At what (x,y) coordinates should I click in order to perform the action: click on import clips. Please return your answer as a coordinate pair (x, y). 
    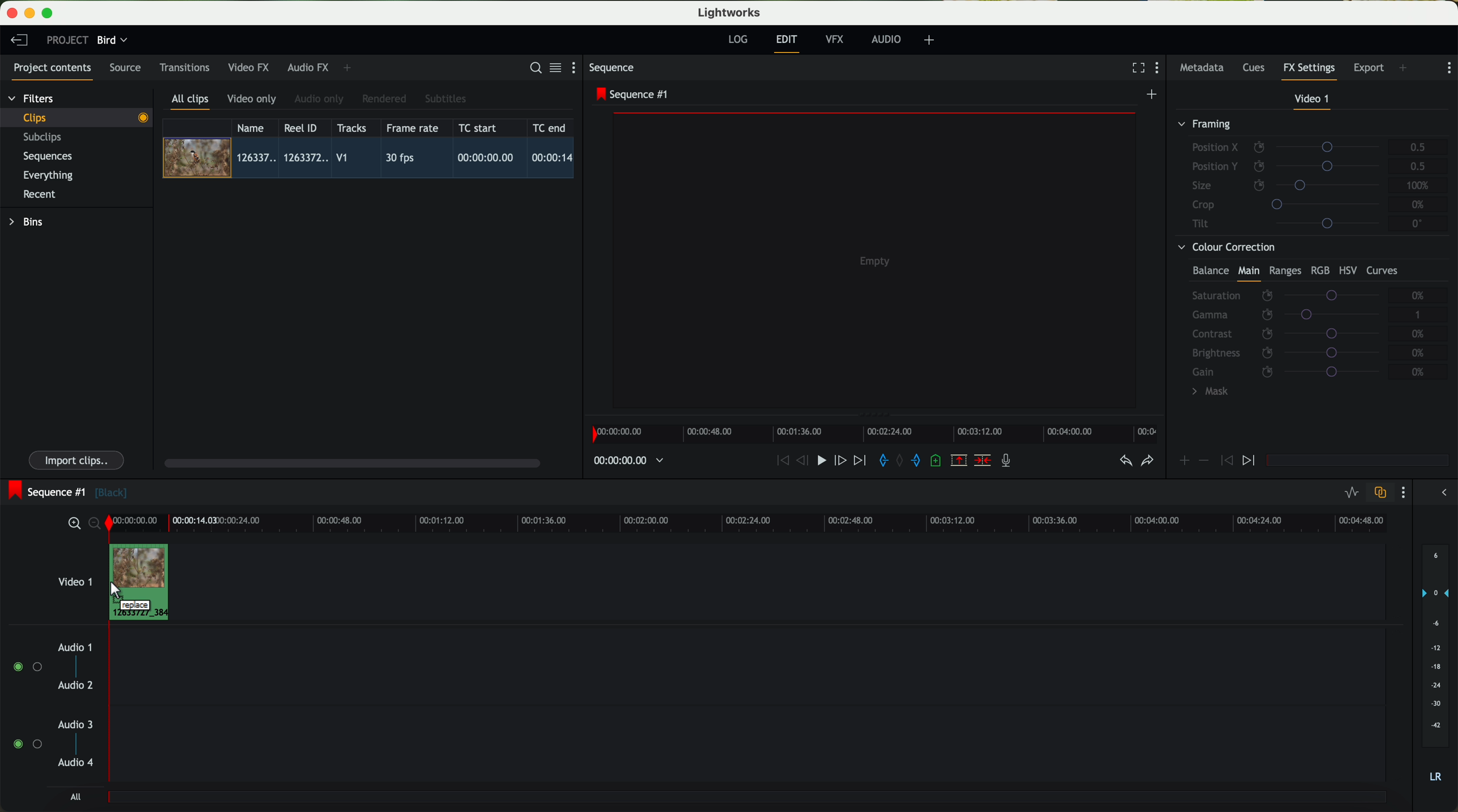
    Looking at the image, I should click on (78, 459).